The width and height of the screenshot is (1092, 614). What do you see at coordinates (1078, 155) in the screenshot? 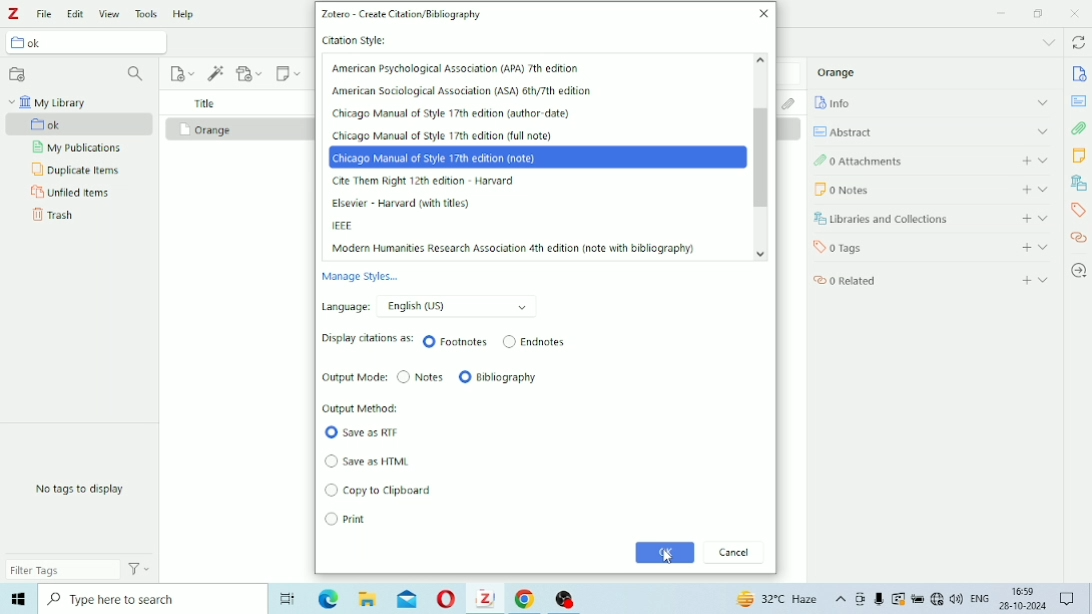
I see `Notes` at bounding box center [1078, 155].